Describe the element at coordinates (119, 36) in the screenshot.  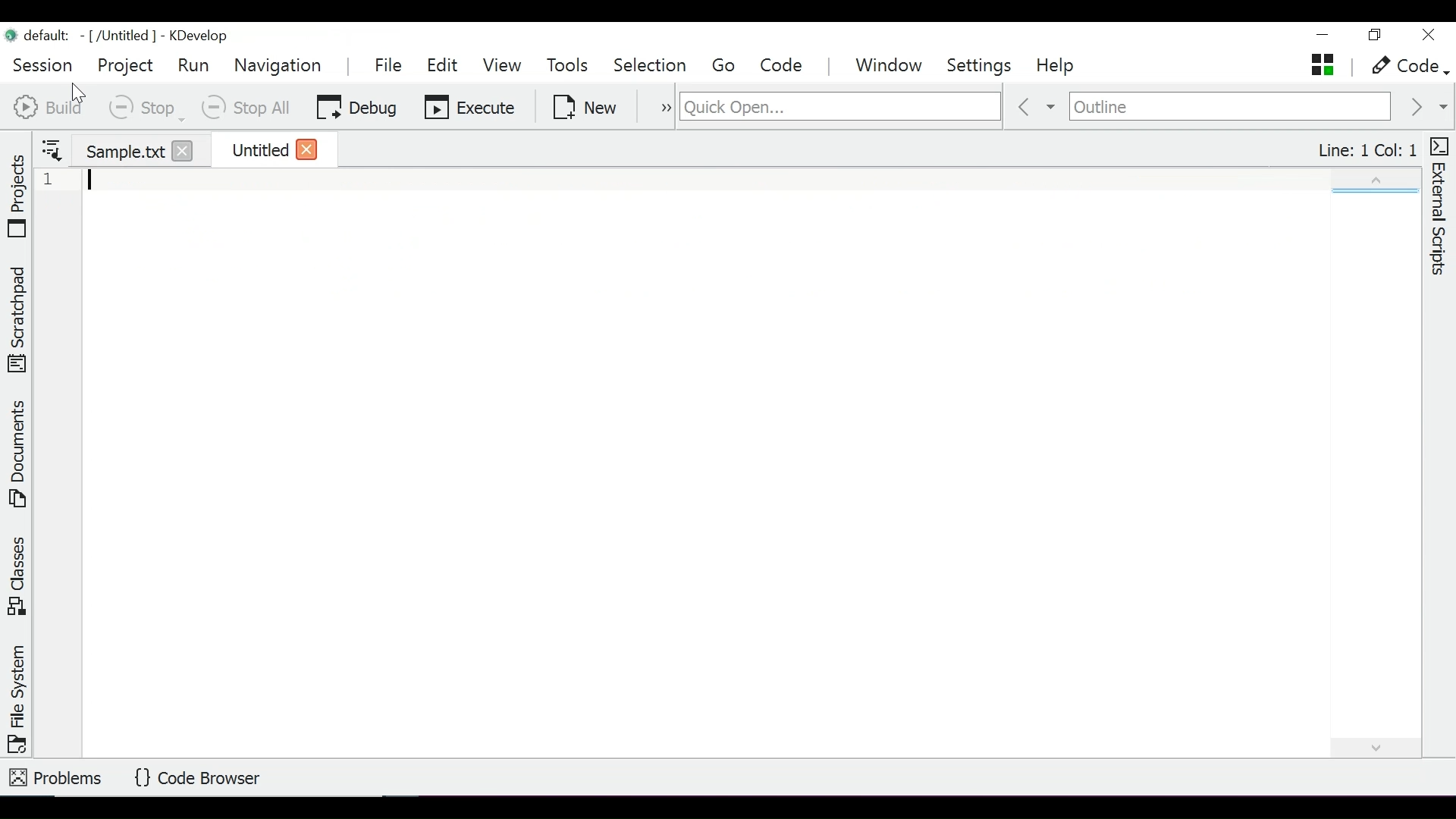
I see `[/Untitled] - KDevelop` at that location.